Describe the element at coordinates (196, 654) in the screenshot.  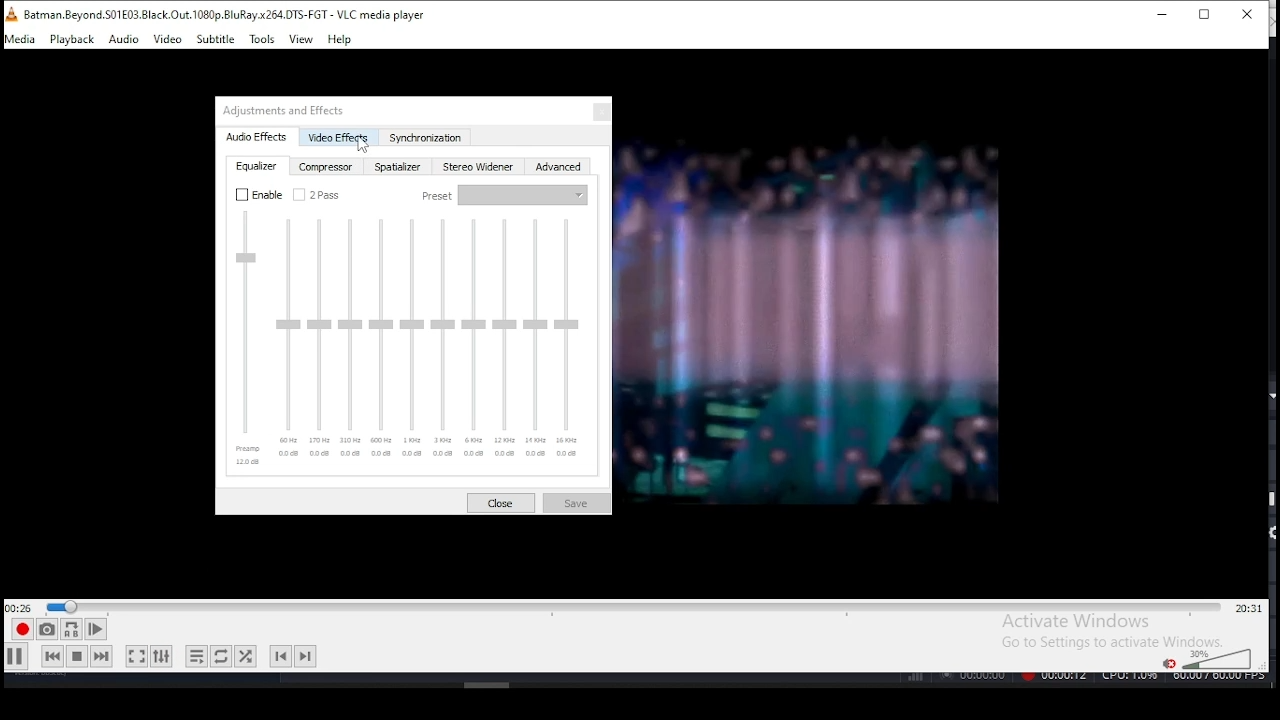
I see `toggle playlist` at that location.